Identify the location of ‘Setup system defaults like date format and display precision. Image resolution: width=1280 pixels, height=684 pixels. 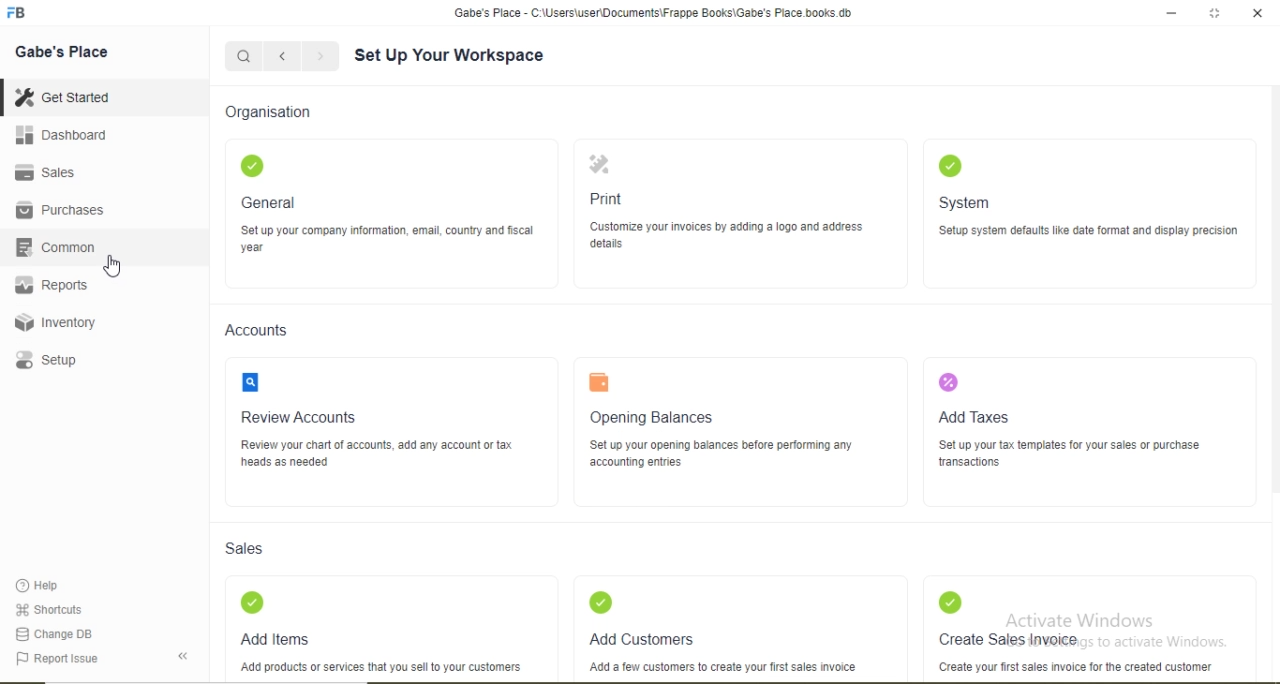
(1089, 233).